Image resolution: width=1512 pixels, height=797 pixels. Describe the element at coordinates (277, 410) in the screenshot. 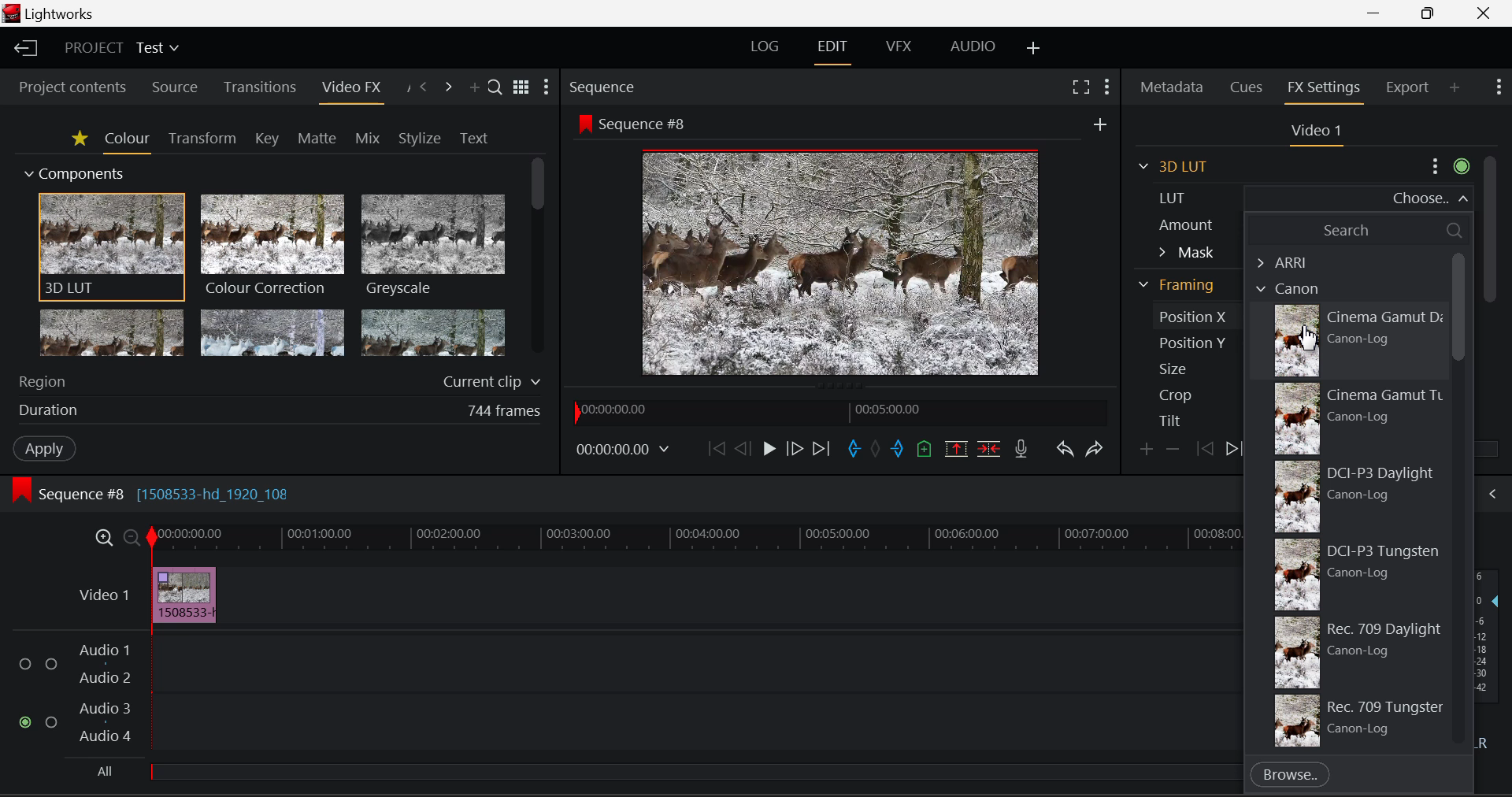

I see `Effect duration` at that location.